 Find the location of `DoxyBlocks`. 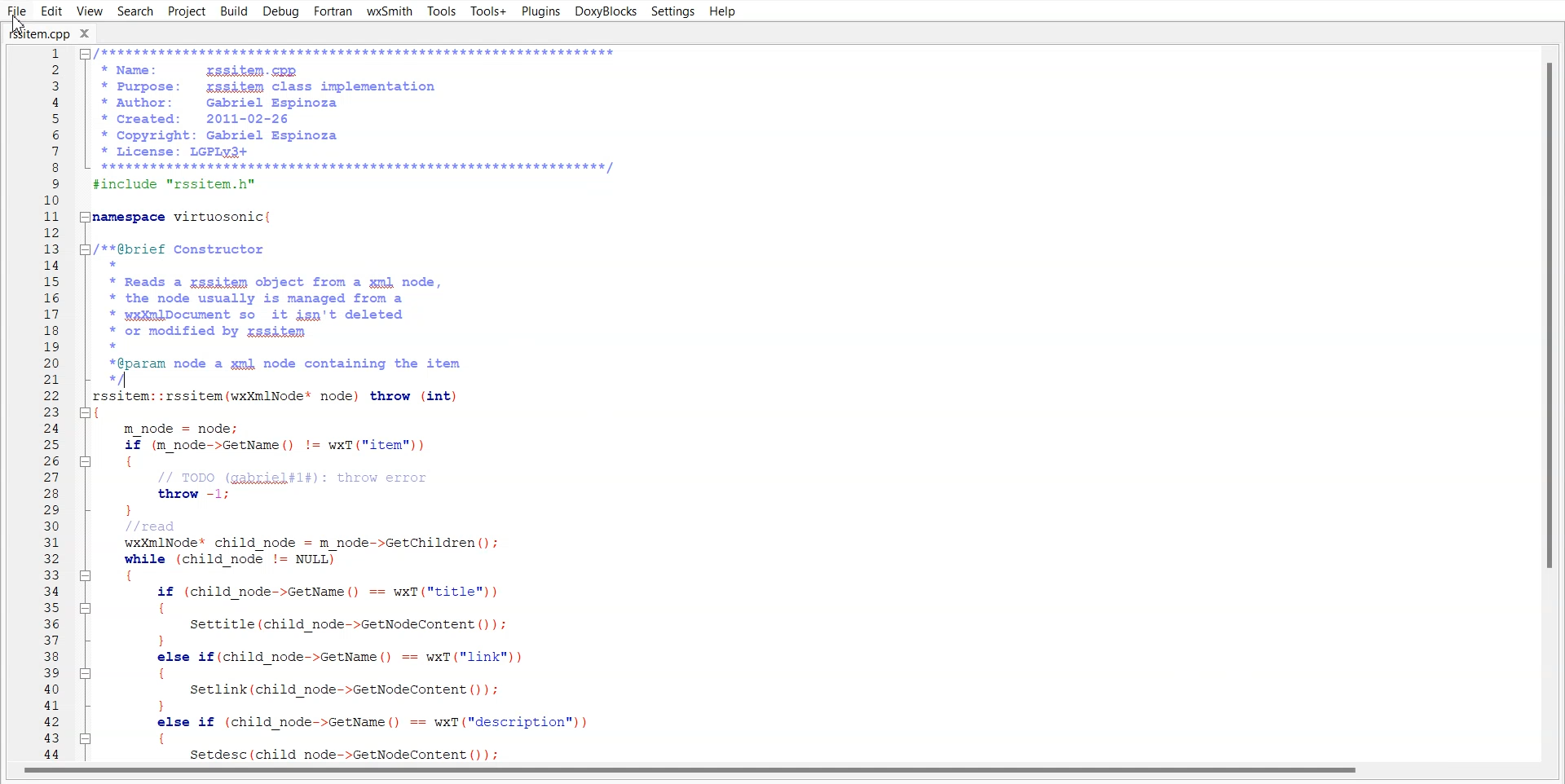

DoxyBlocks is located at coordinates (604, 11).